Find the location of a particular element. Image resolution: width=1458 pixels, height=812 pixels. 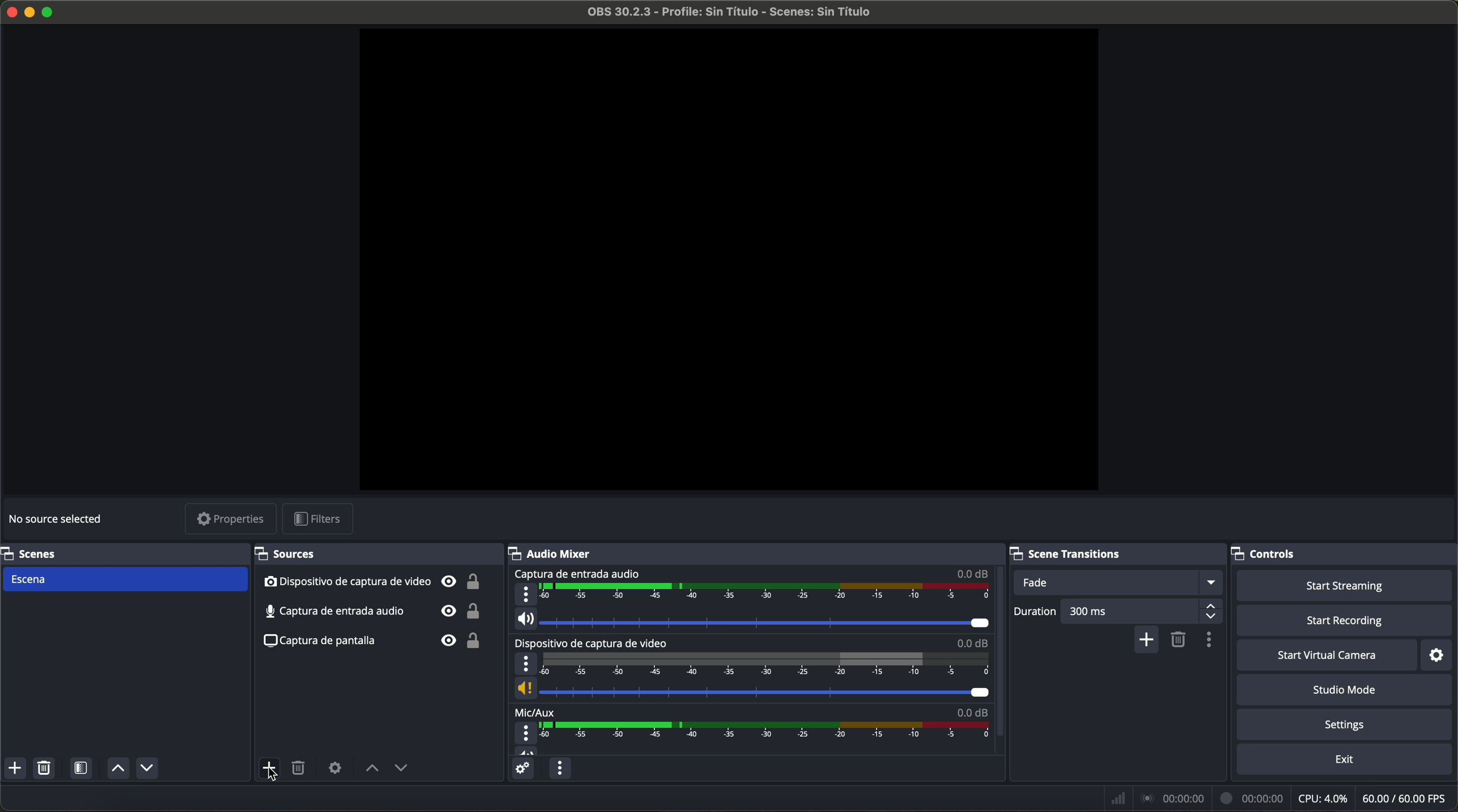

timeline is located at coordinates (766, 664).